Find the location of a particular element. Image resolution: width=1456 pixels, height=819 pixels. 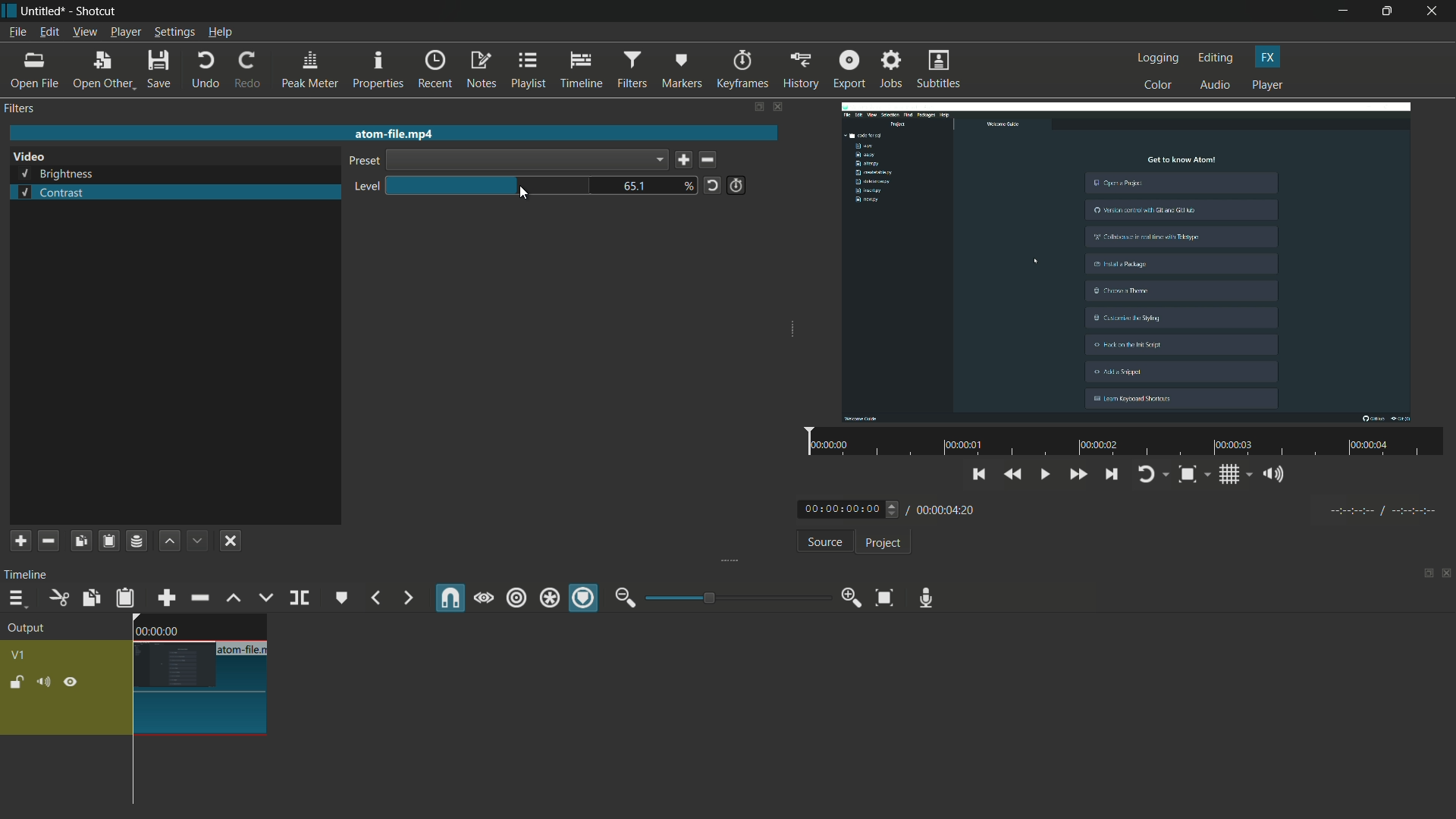

timeline is located at coordinates (29, 574).